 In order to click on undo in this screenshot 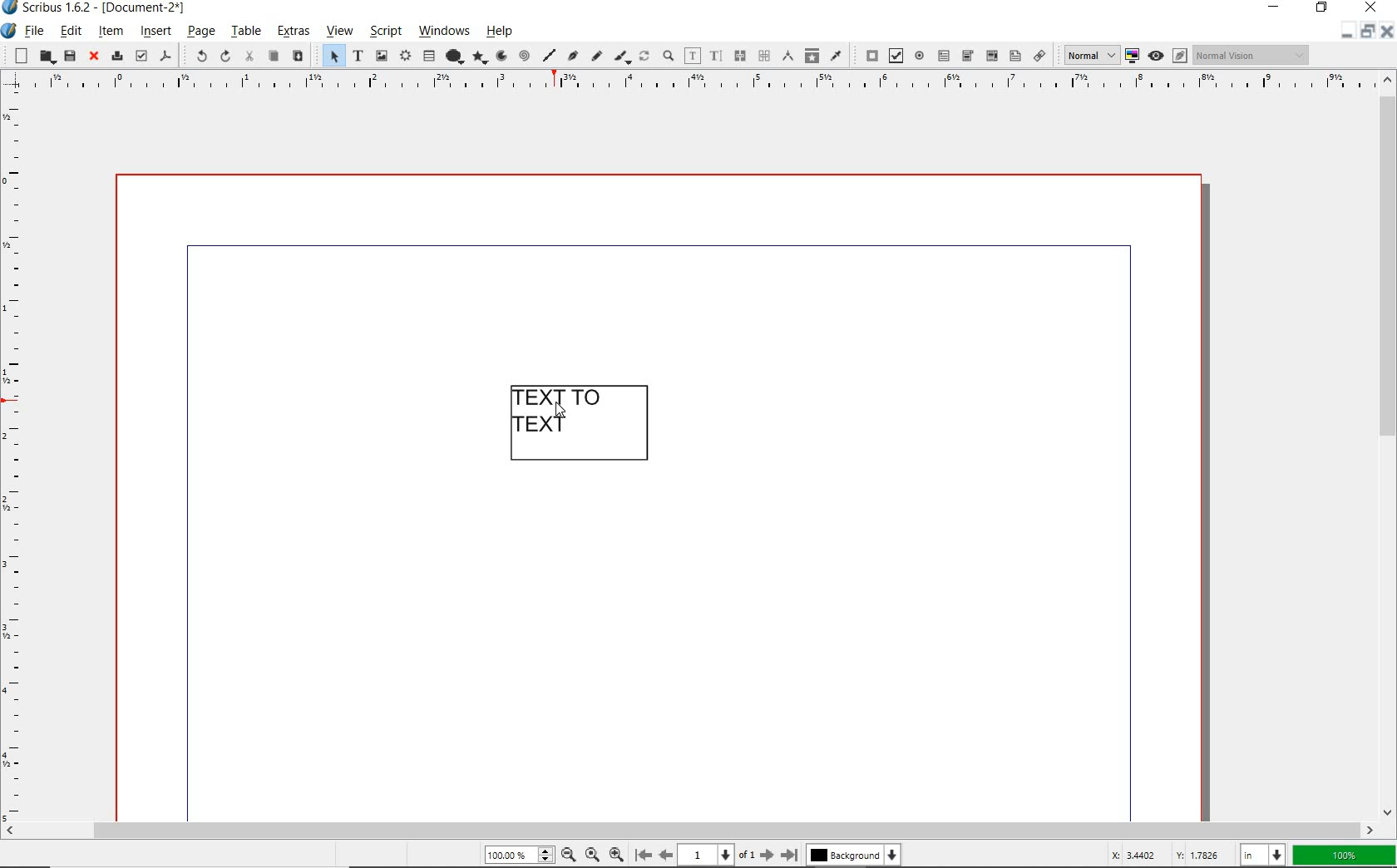, I will do `click(195, 57)`.